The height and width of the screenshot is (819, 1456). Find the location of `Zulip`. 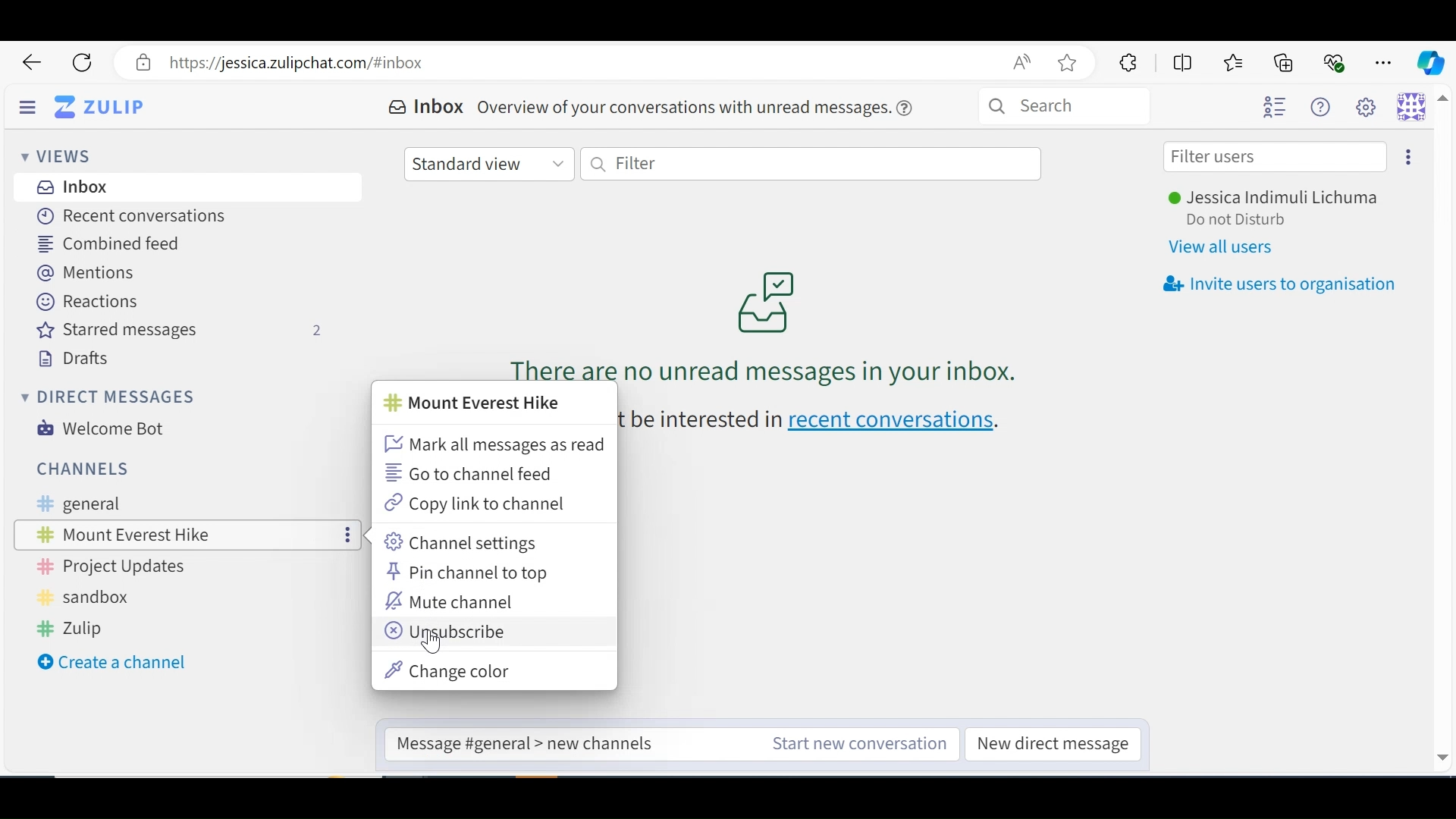

Zulip is located at coordinates (77, 627).